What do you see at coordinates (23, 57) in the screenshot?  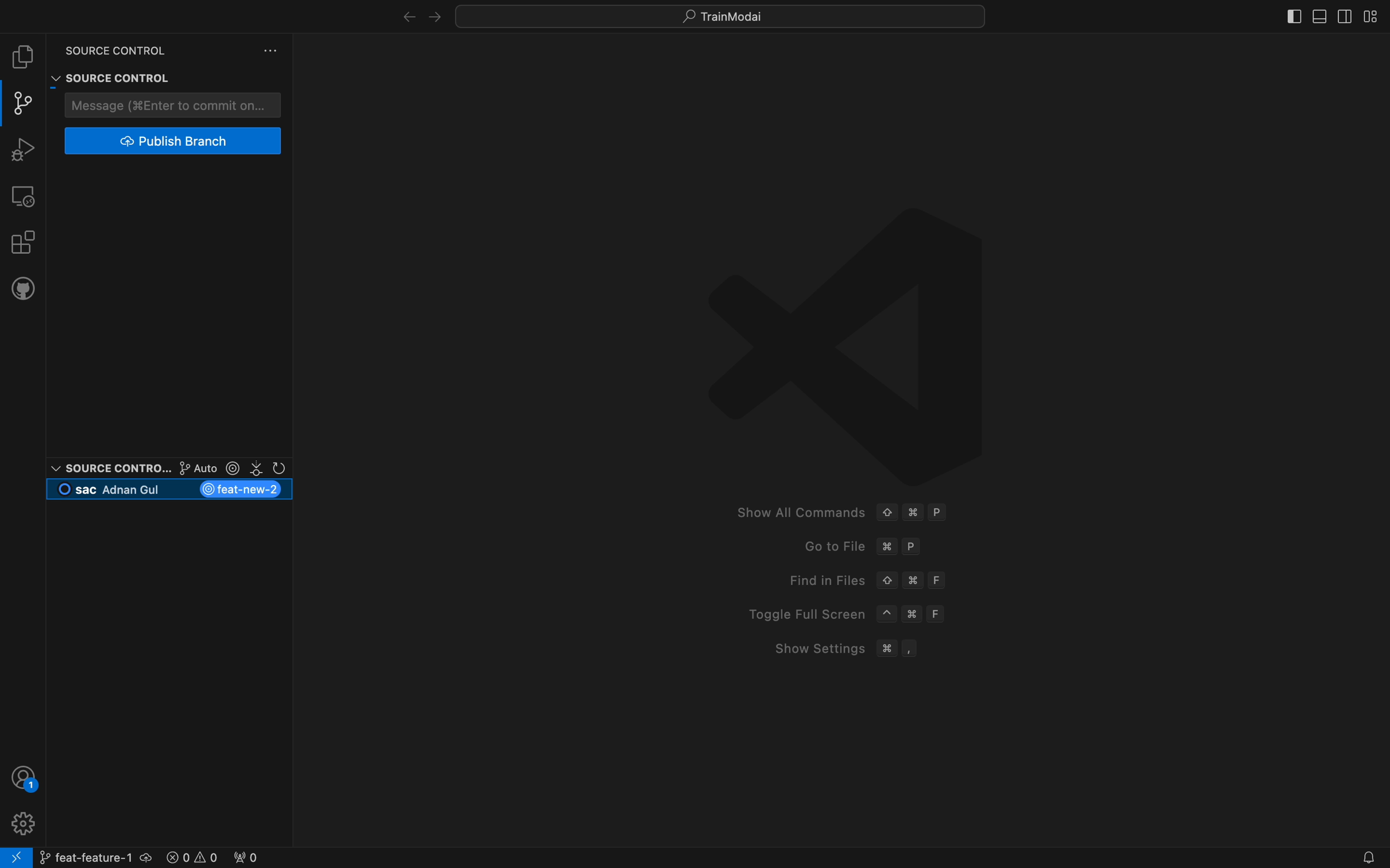 I see `file` at bounding box center [23, 57].